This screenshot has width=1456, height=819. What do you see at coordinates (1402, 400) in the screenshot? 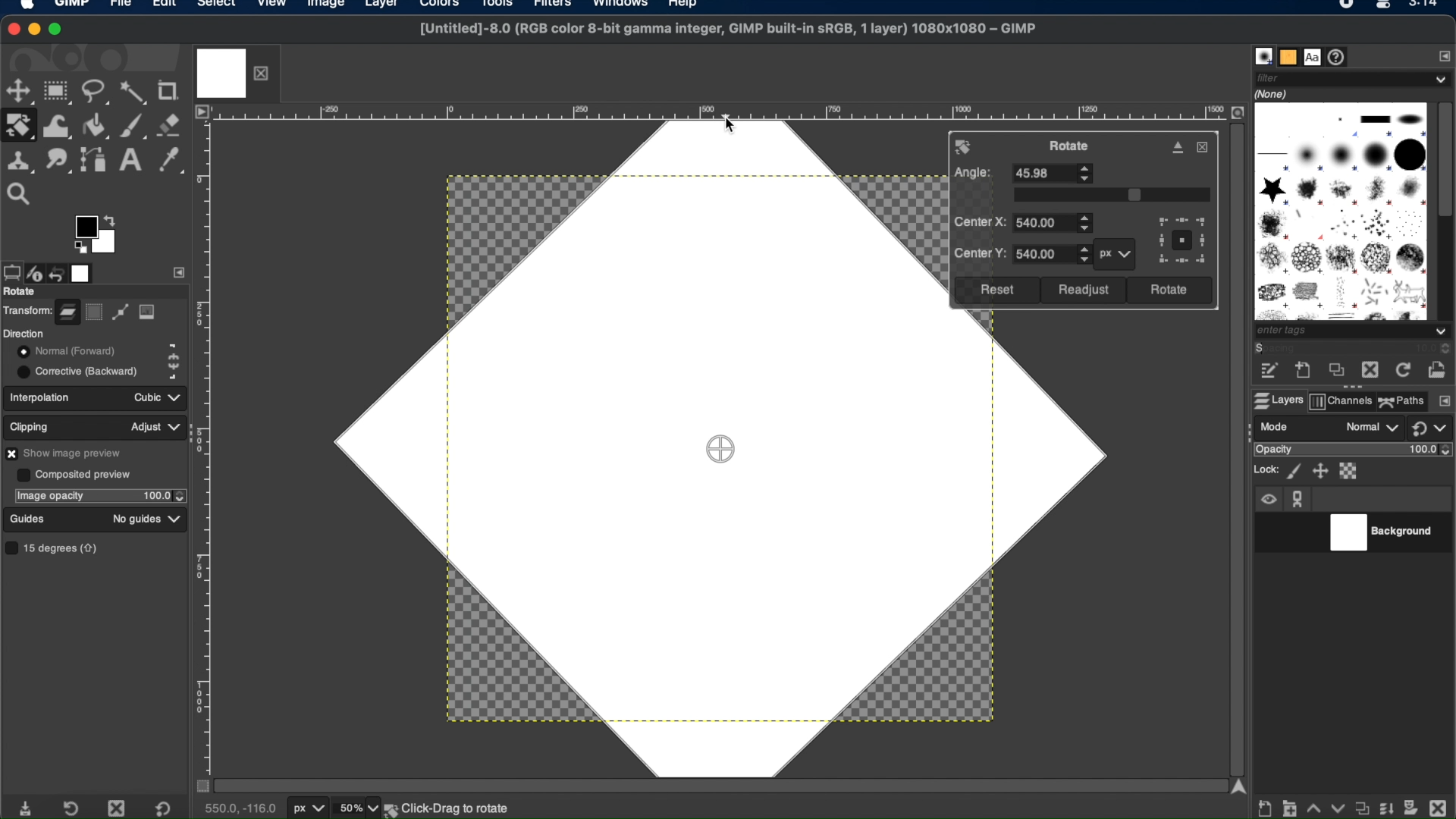
I see `paths` at bounding box center [1402, 400].